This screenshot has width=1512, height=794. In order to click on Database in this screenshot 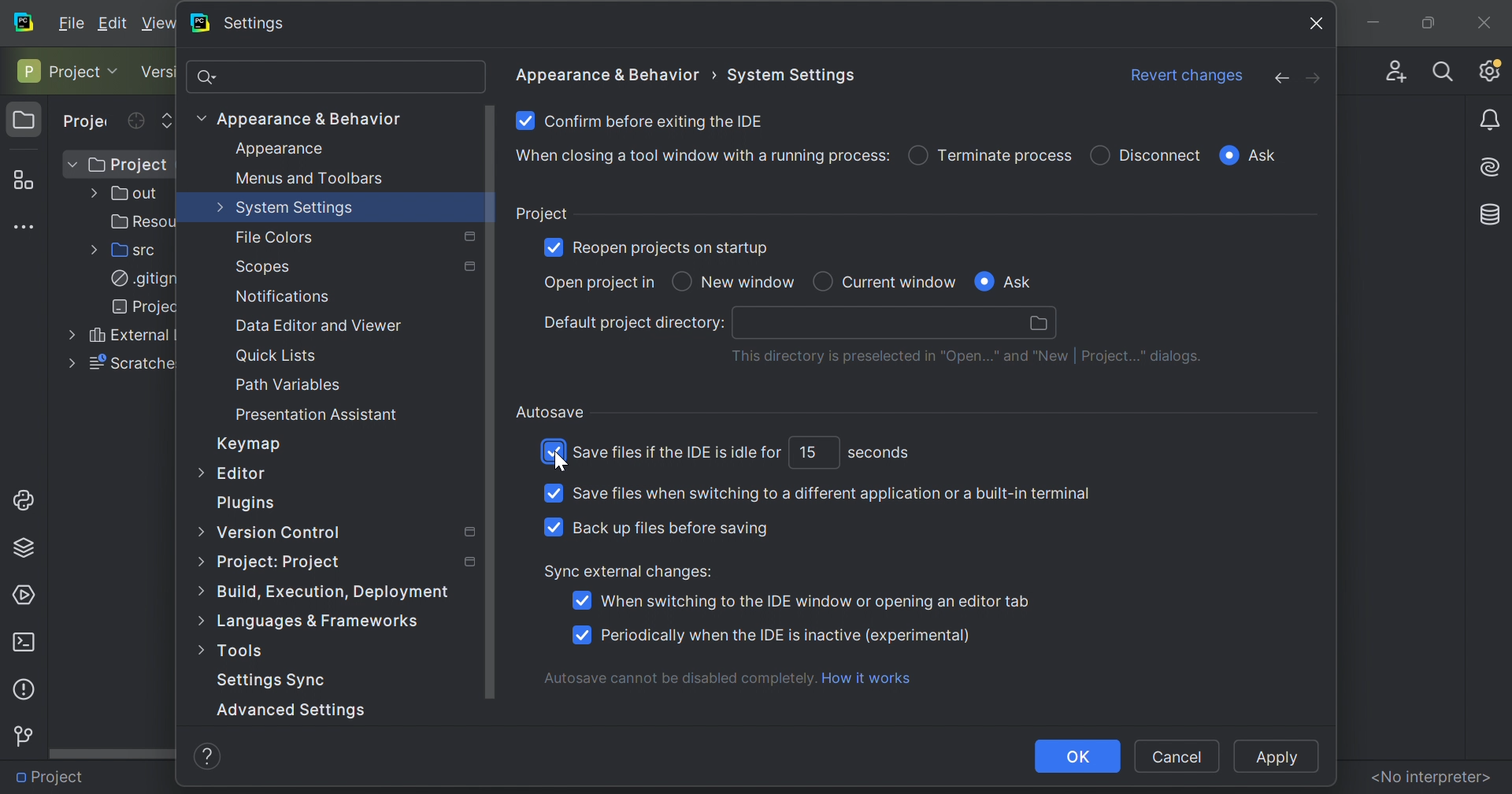, I will do `click(1492, 212)`.